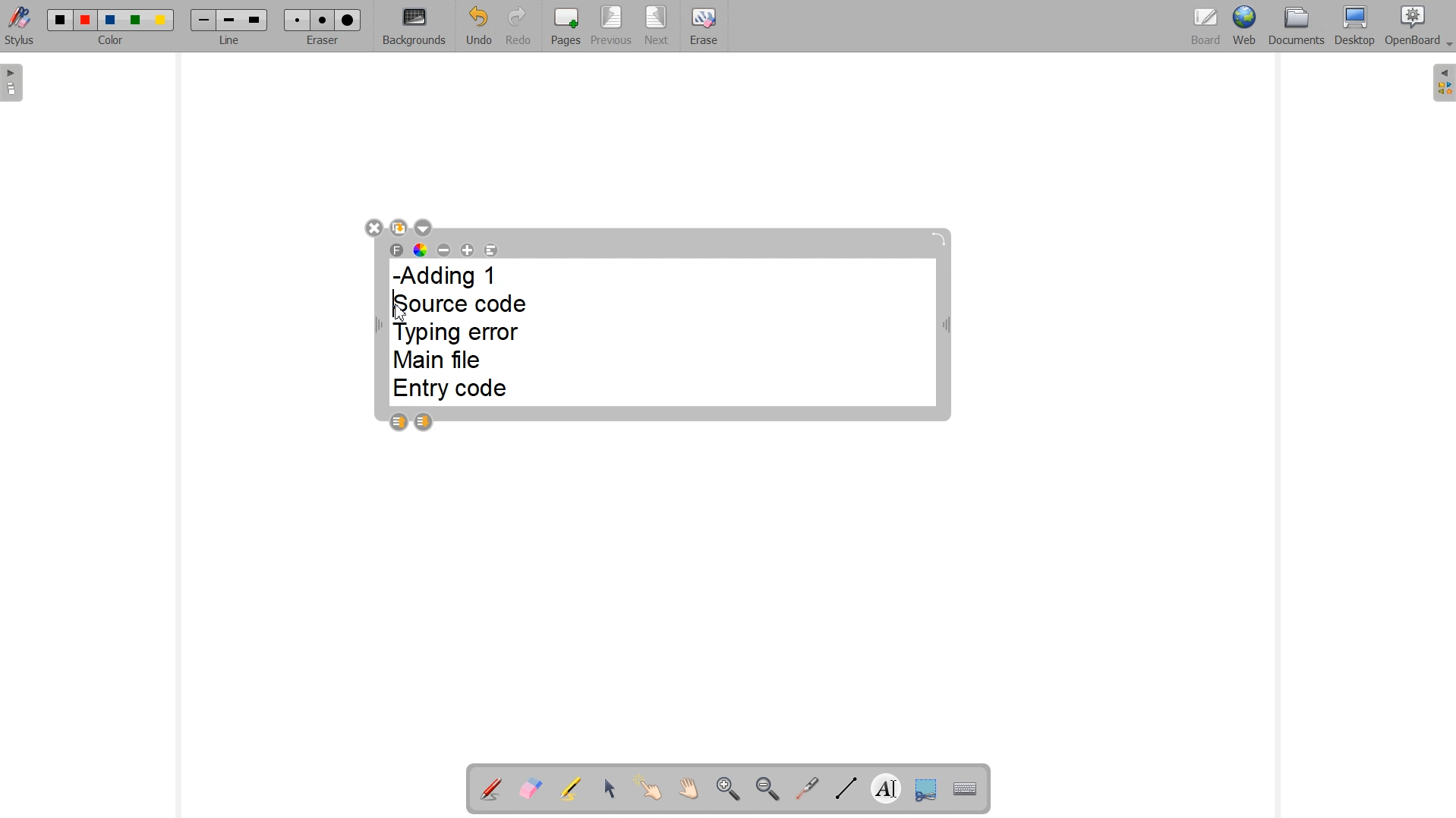 The height and width of the screenshot is (818, 1456). I want to click on Stylus, so click(20, 29).